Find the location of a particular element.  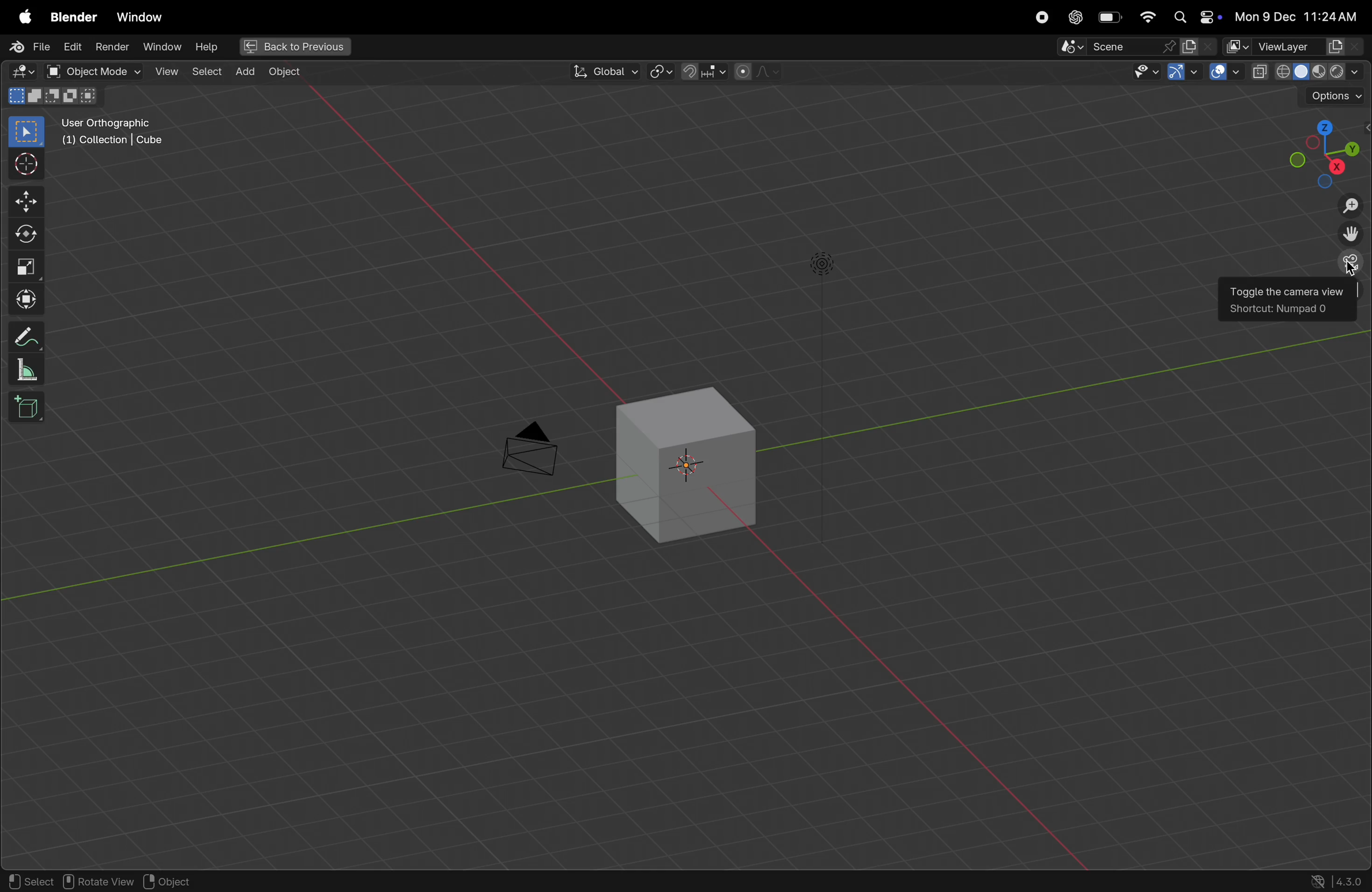

lights is located at coordinates (825, 266).